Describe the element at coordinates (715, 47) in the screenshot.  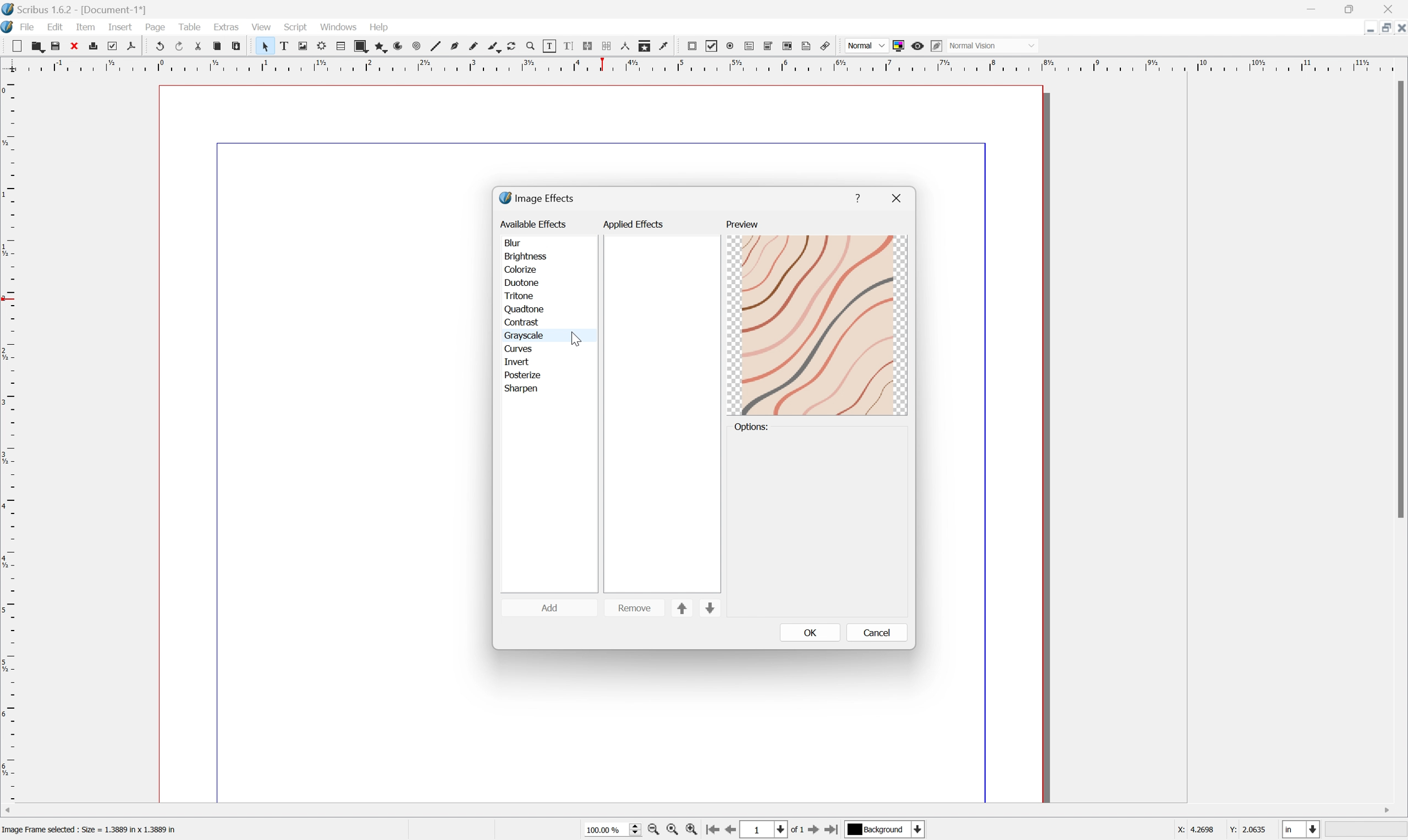
I see `PDF check box` at that location.